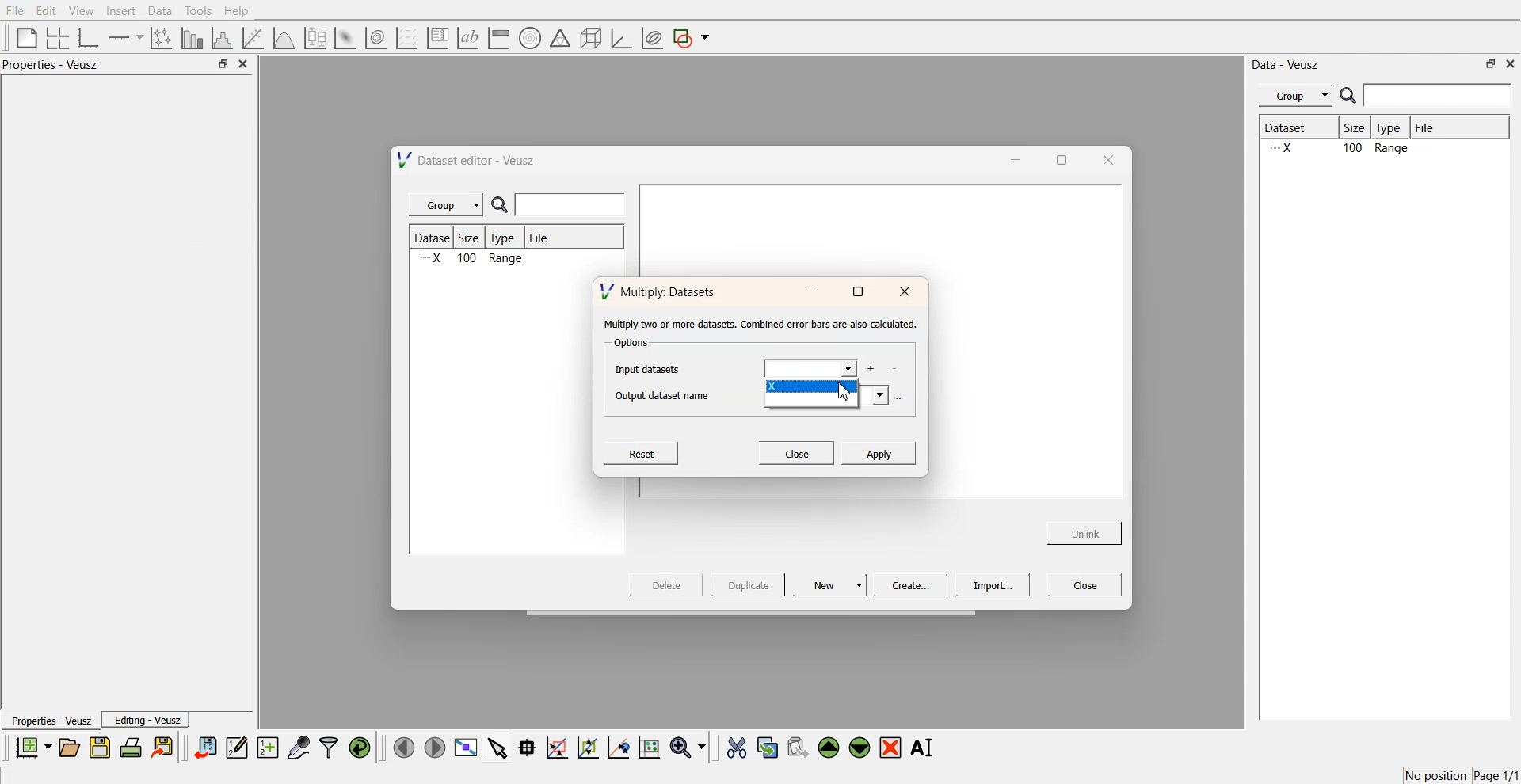 Image resolution: width=1521 pixels, height=784 pixels. Describe the element at coordinates (1393, 128) in the screenshot. I see `Type` at that location.